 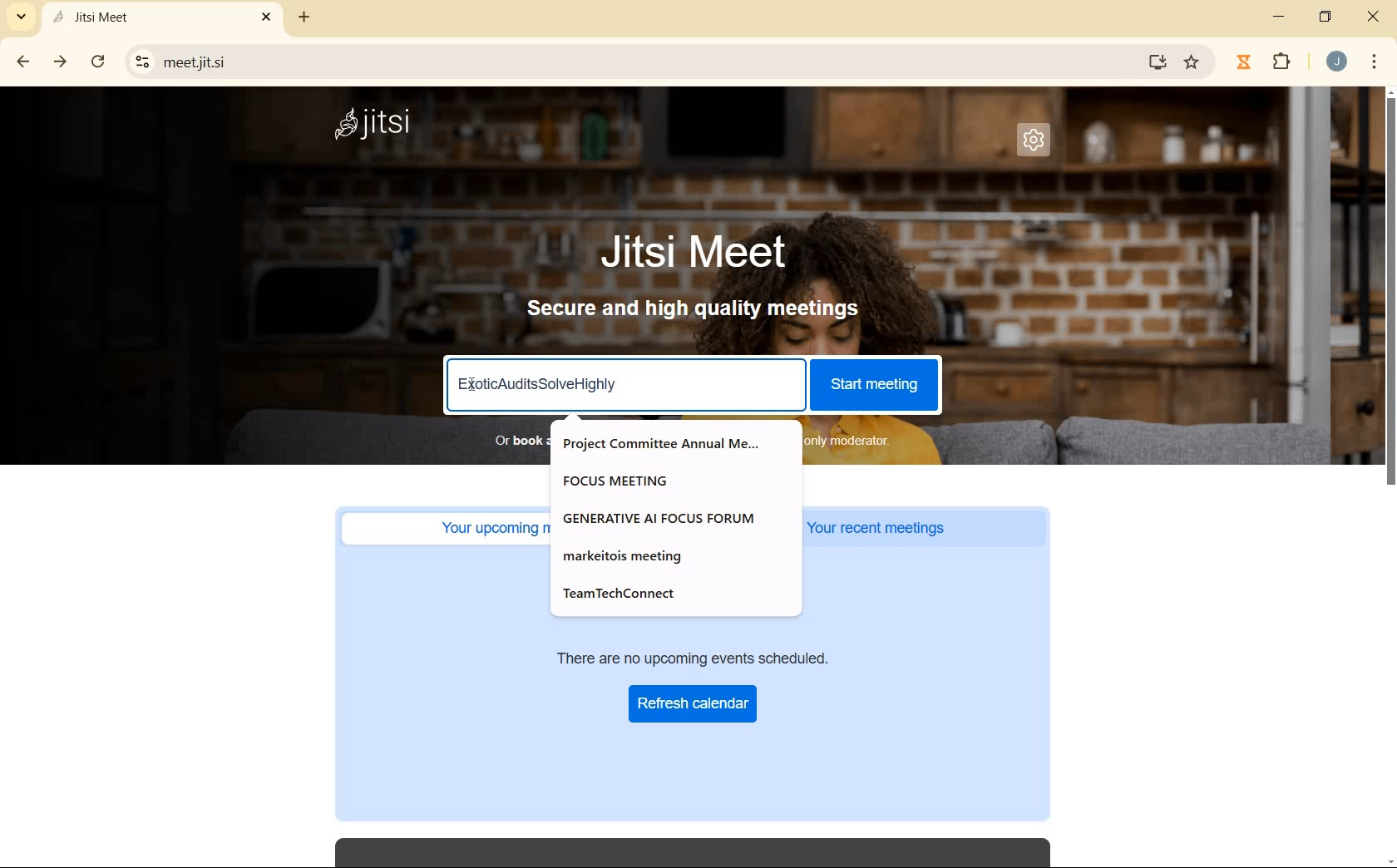 I want to click on markeitois meeting, so click(x=634, y=555).